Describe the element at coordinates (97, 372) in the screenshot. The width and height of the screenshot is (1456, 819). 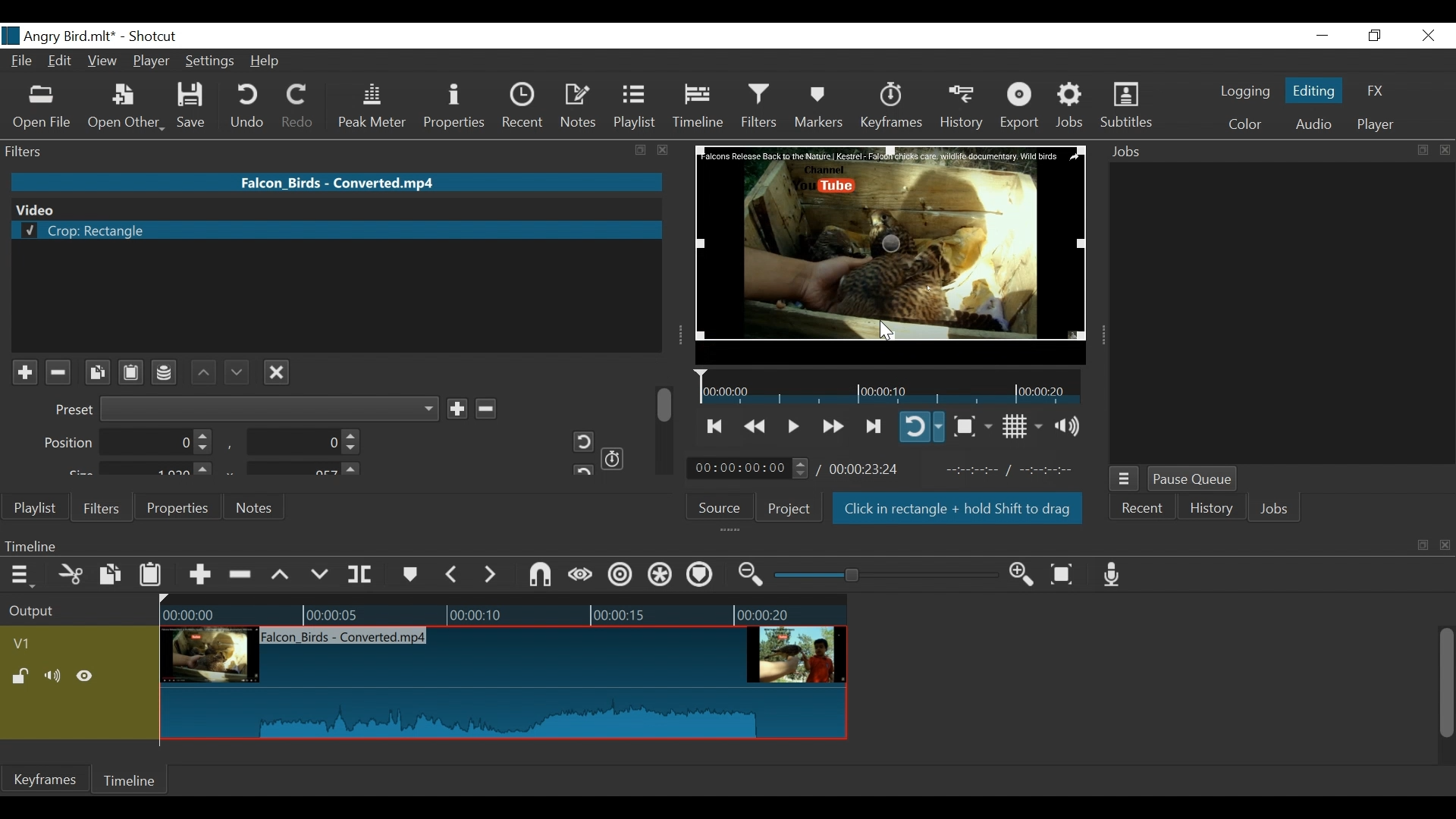
I see `Copy` at that location.